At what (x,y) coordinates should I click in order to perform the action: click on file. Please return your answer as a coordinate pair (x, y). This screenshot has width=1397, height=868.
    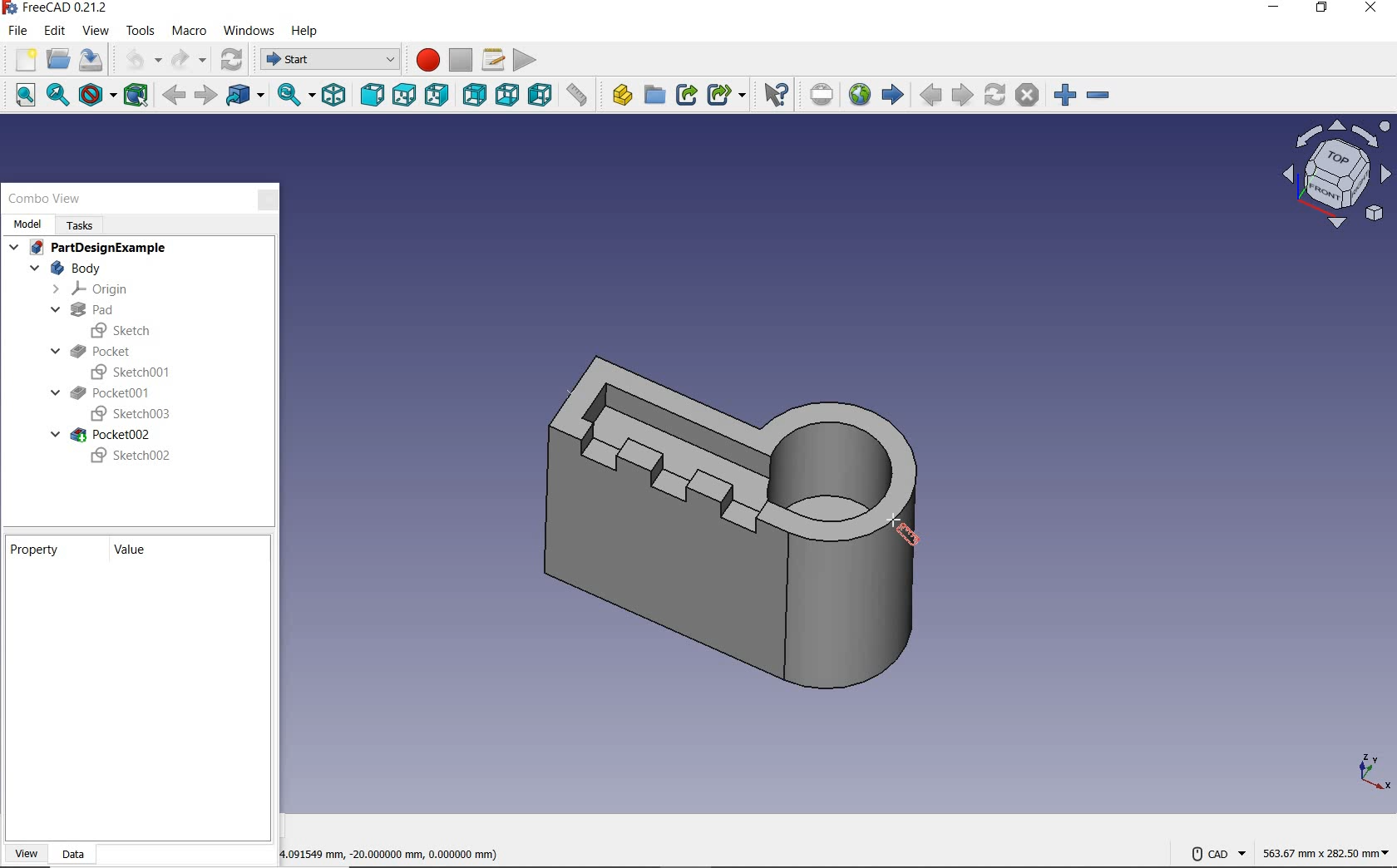
    Looking at the image, I should click on (15, 32).